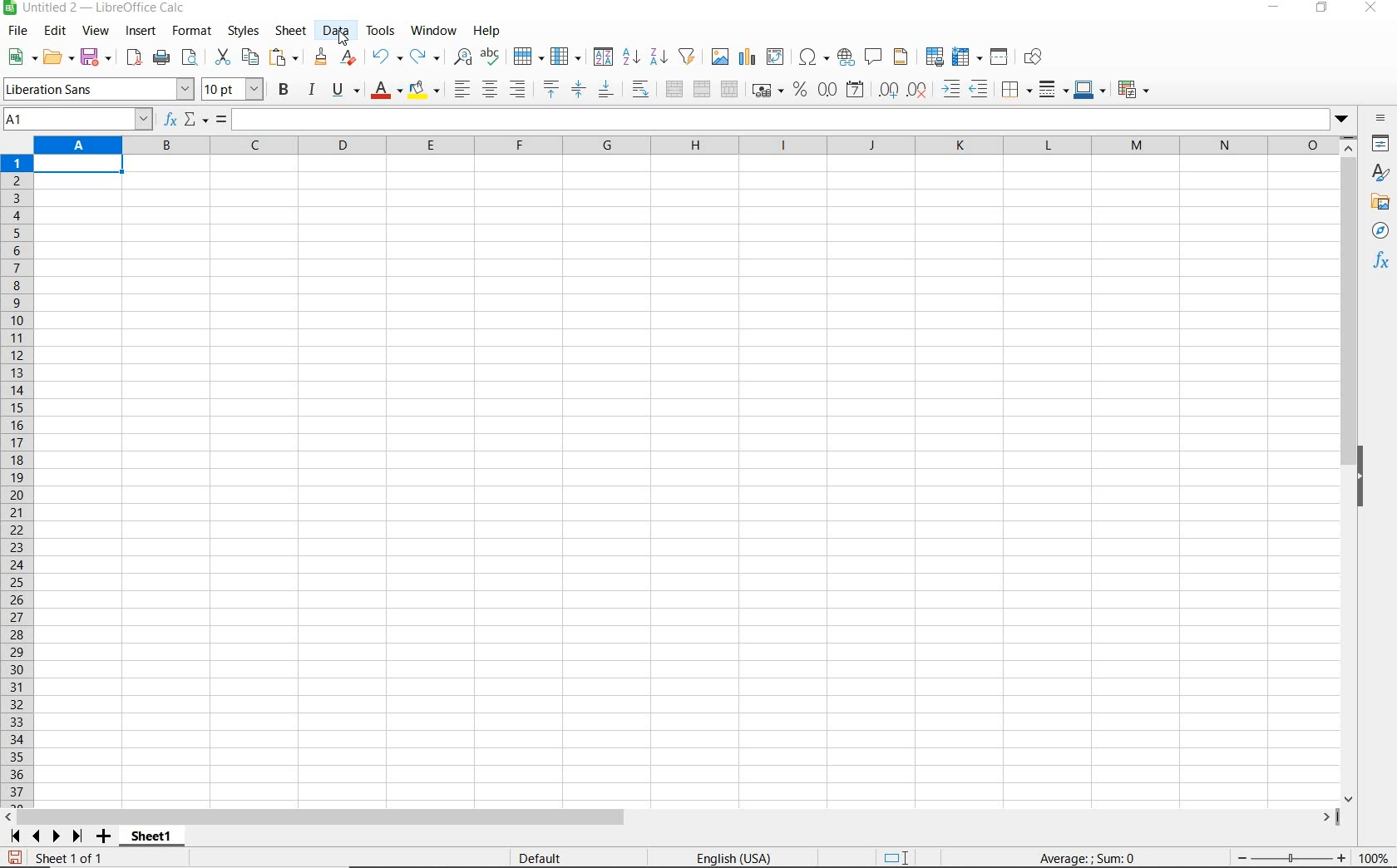 The width and height of the screenshot is (1397, 868). What do you see at coordinates (192, 59) in the screenshot?
I see `toggle print preview` at bounding box center [192, 59].